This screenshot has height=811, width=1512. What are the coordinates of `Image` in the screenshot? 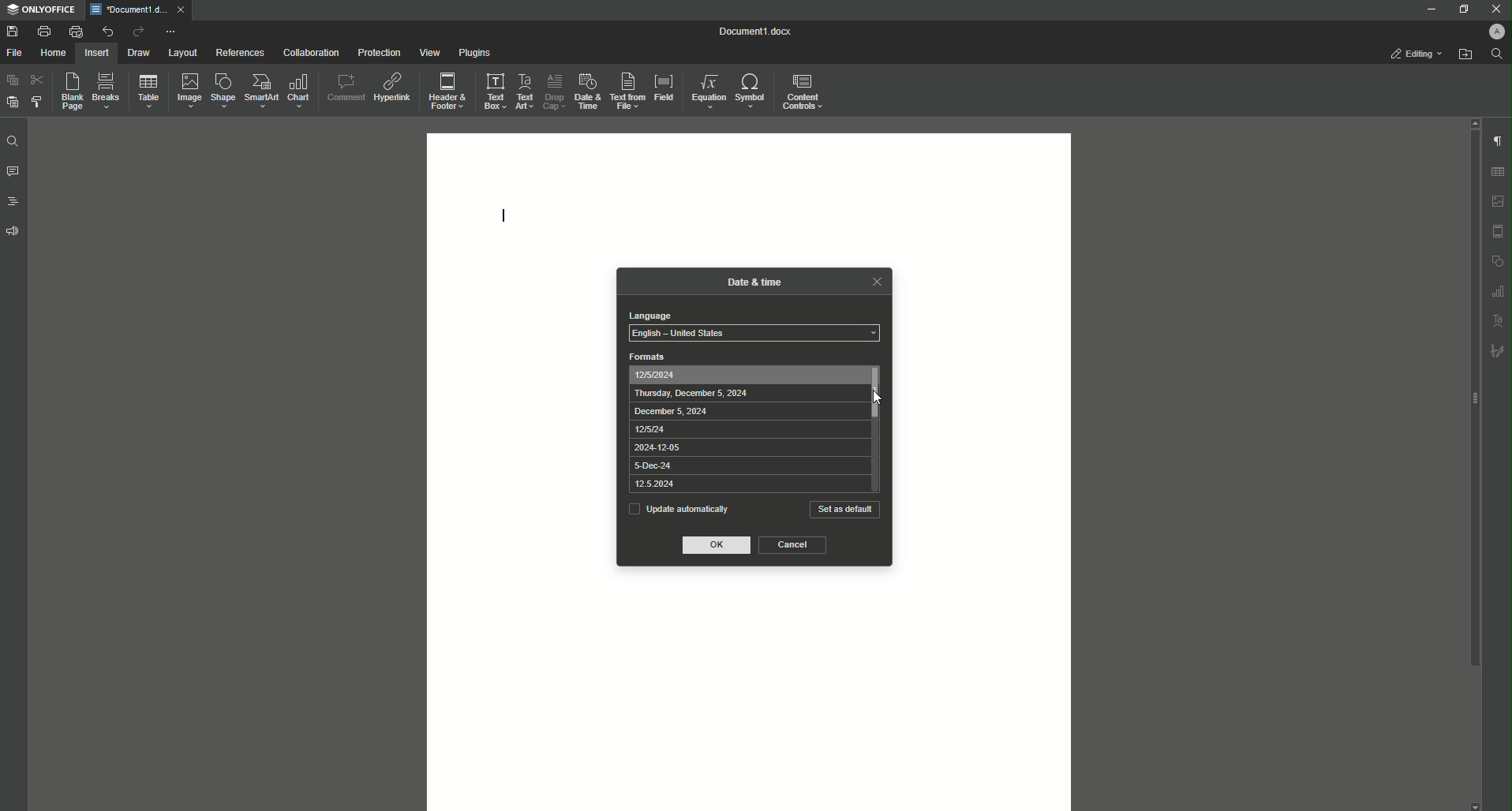 It's located at (185, 90).